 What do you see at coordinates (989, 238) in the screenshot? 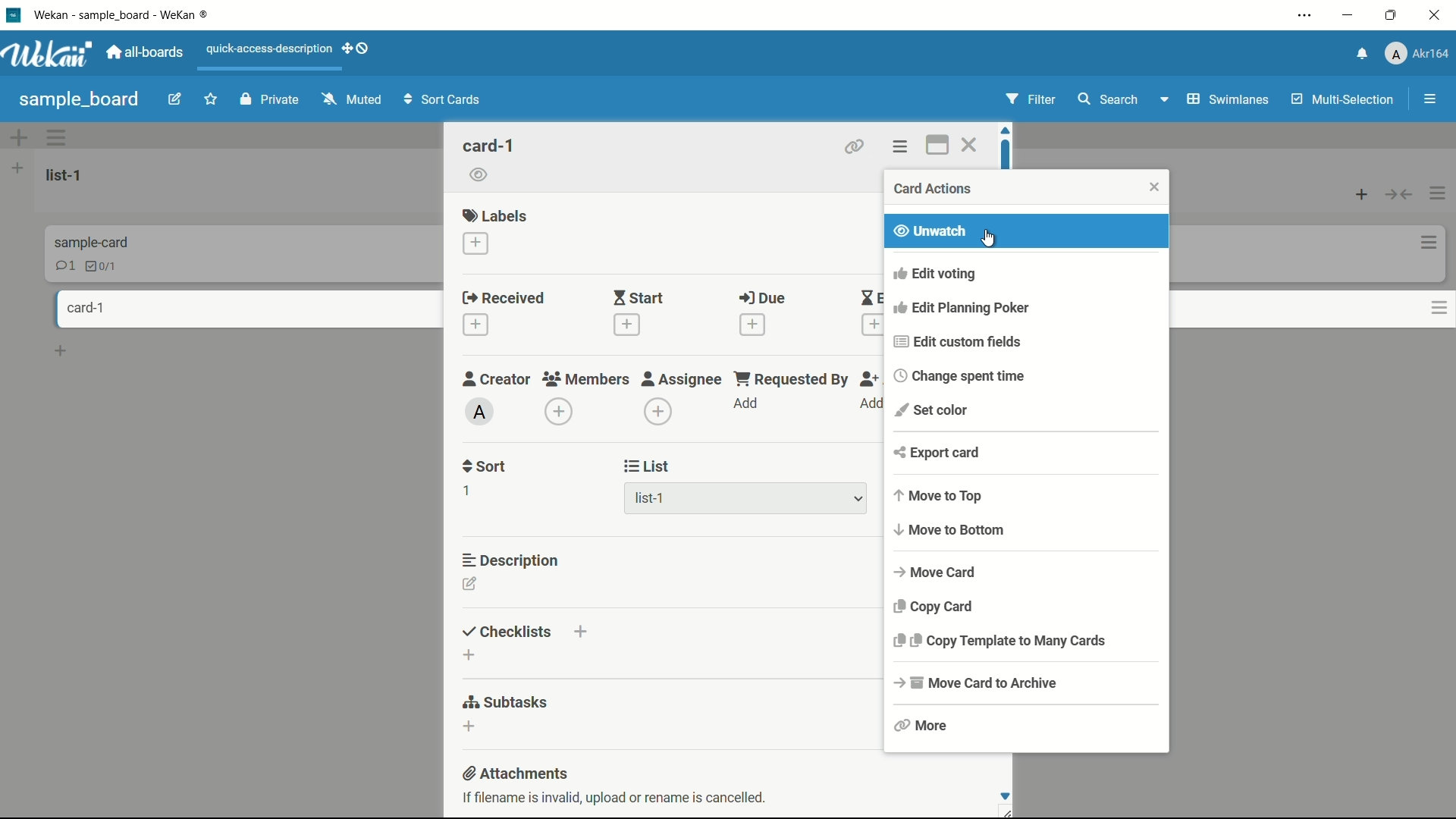
I see `cursor` at bounding box center [989, 238].